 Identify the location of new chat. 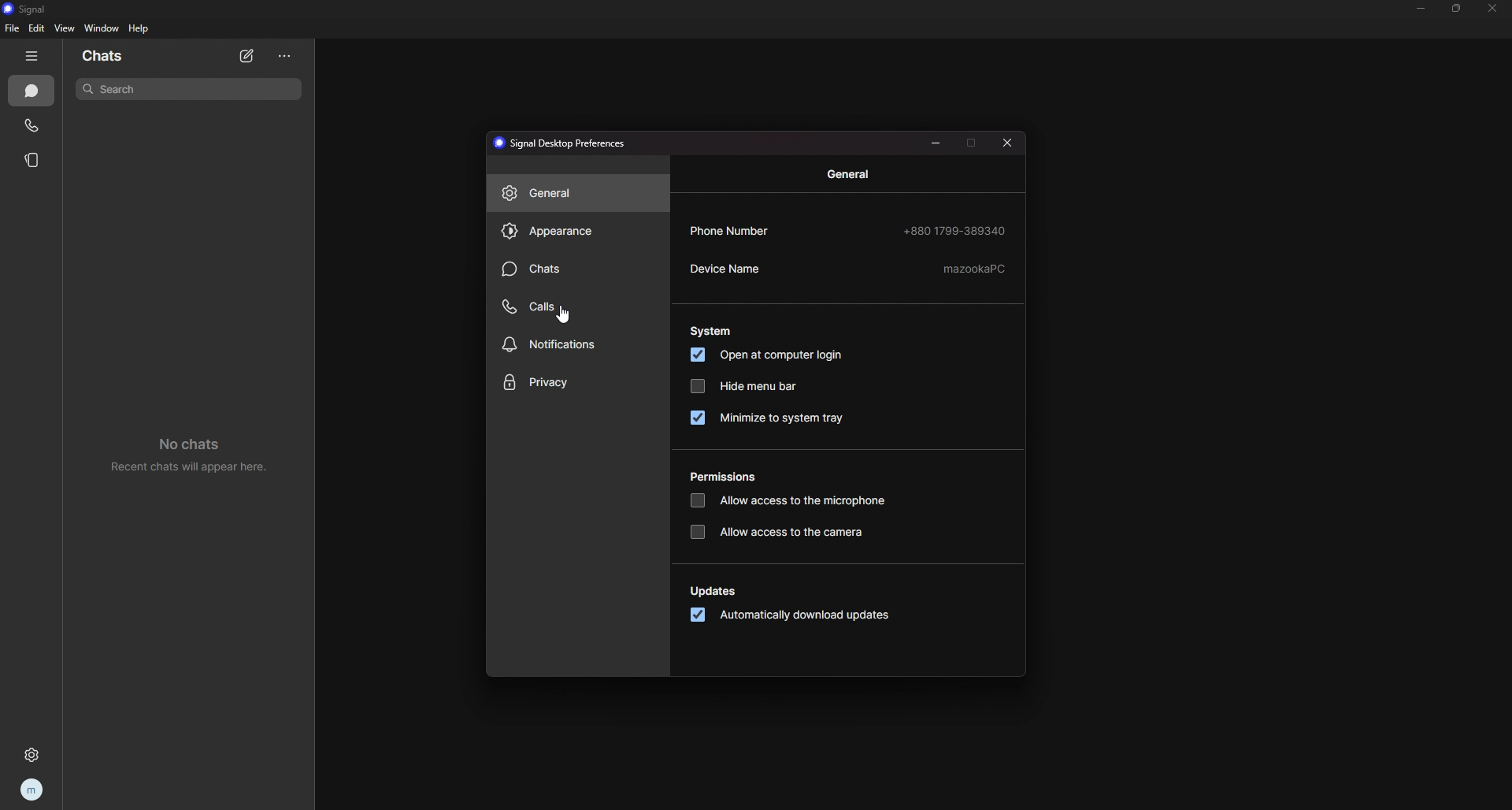
(248, 58).